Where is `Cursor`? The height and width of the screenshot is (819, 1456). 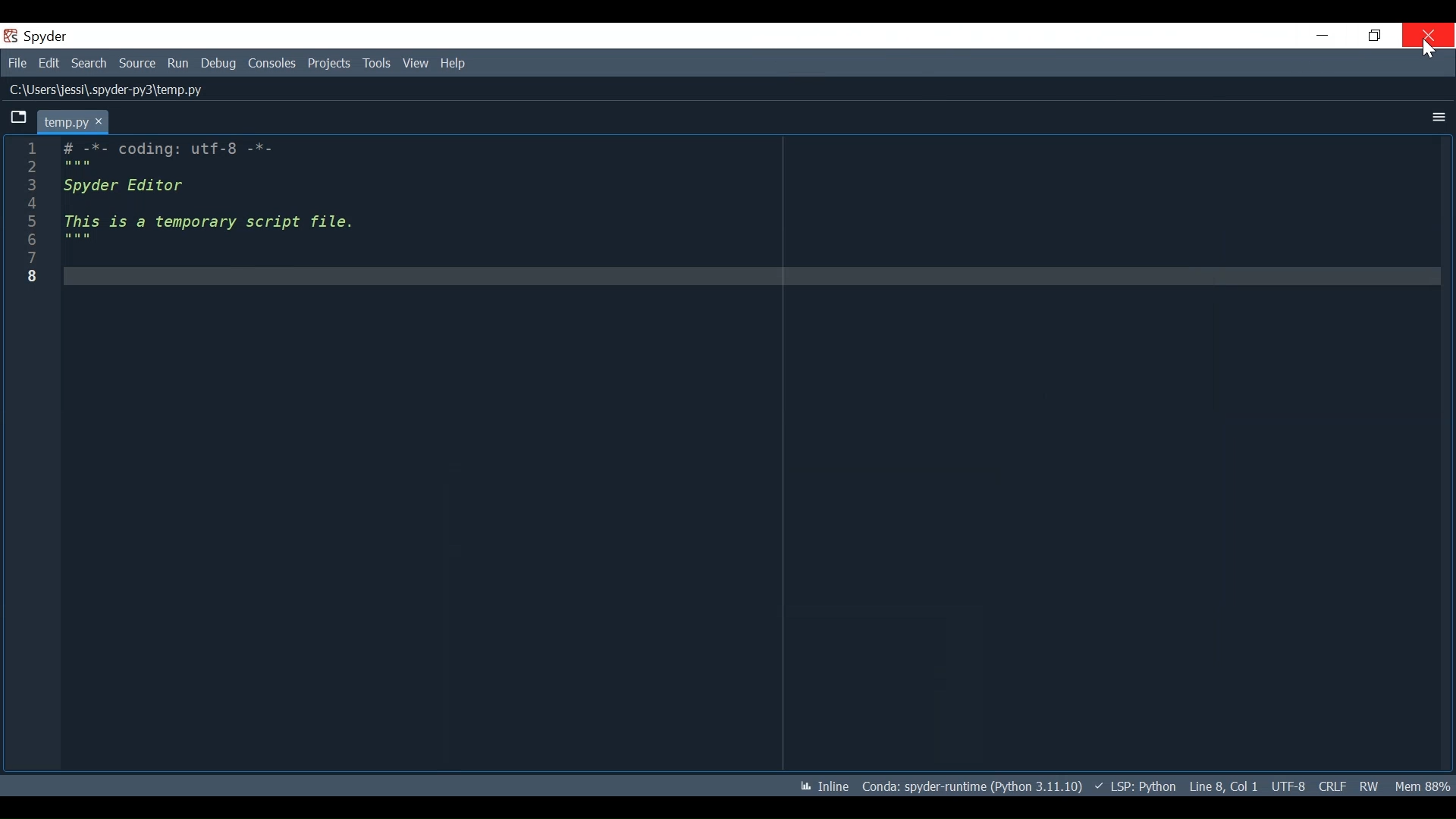 Cursor is located at coordinates (1427, 50).